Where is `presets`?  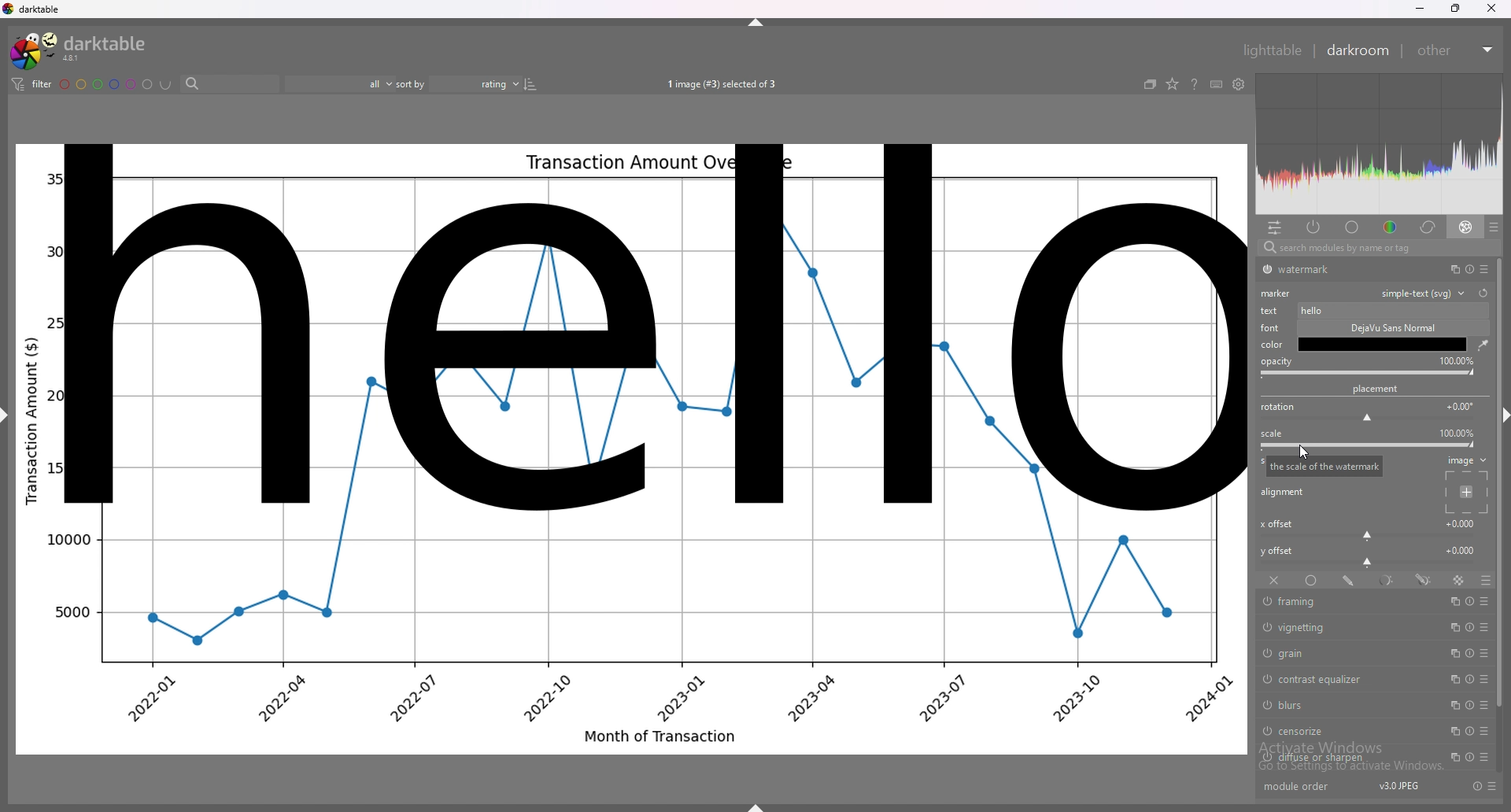
presets is located at coordinates (1485, 654).